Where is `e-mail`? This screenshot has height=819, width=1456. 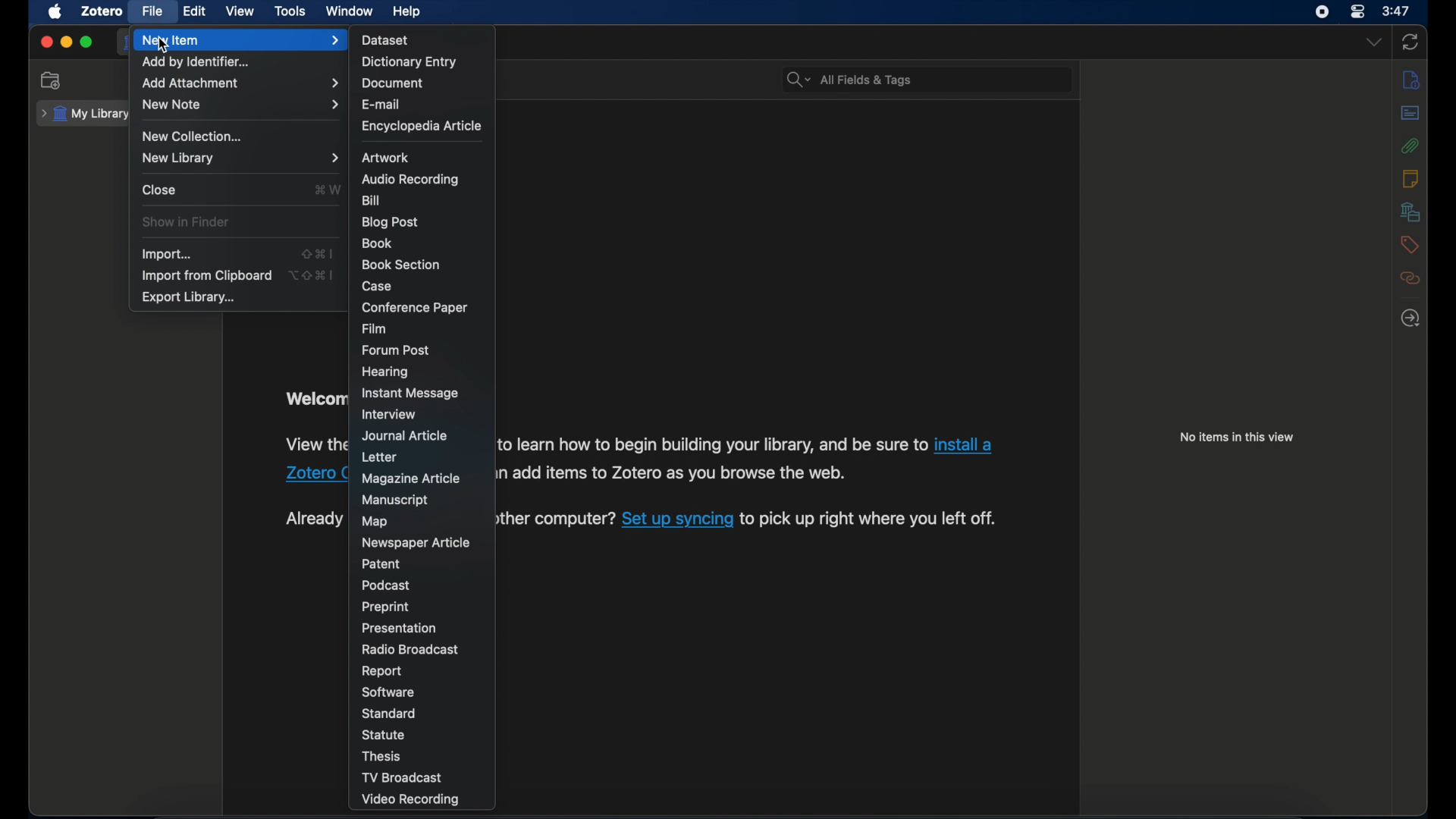 e-mail is located at coordinates (381, 105).